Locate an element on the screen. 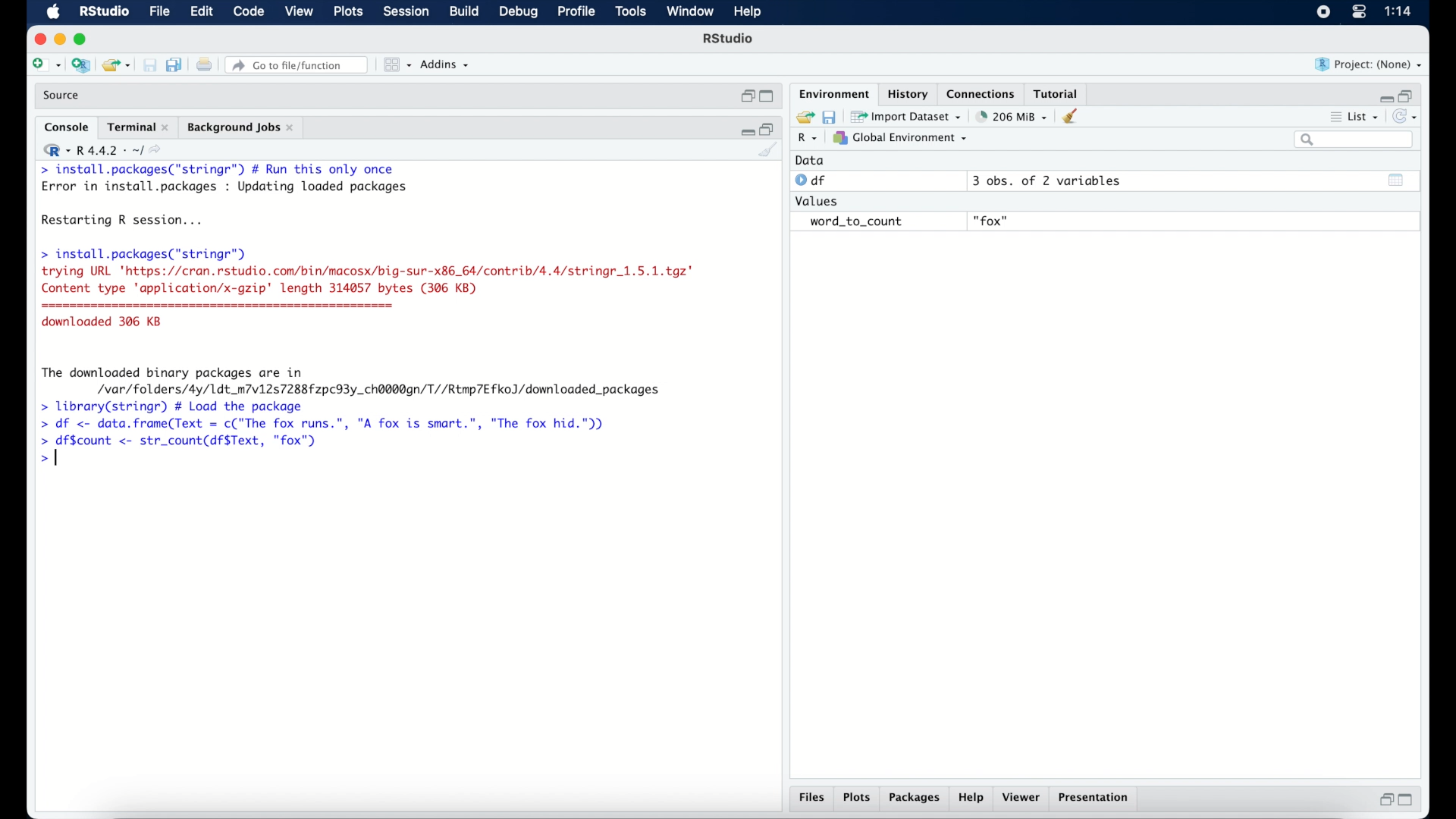  save is located at coordinates (152, 66).